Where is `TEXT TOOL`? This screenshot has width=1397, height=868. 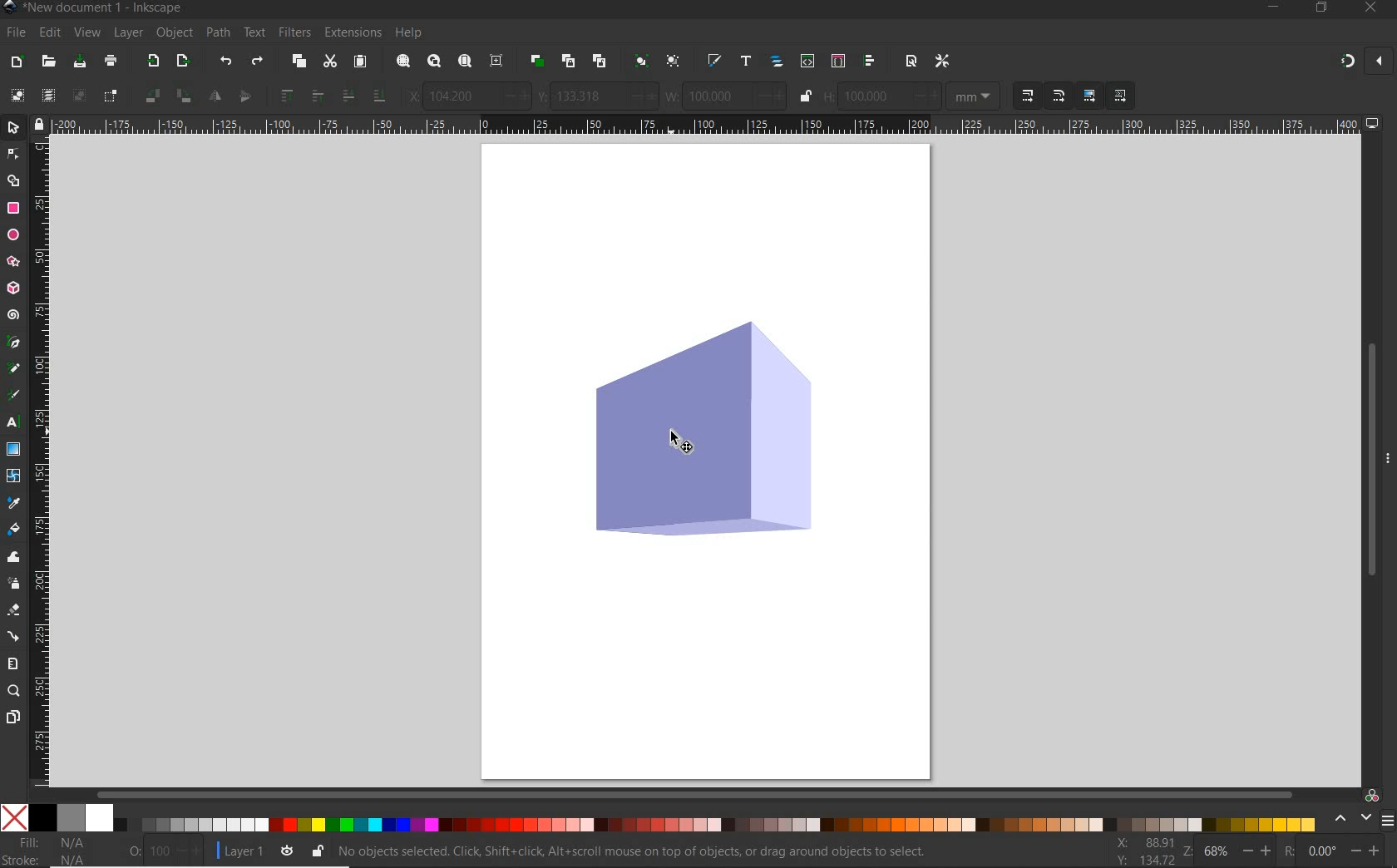
TEXT TOOL is located at coordinates (12, 425).